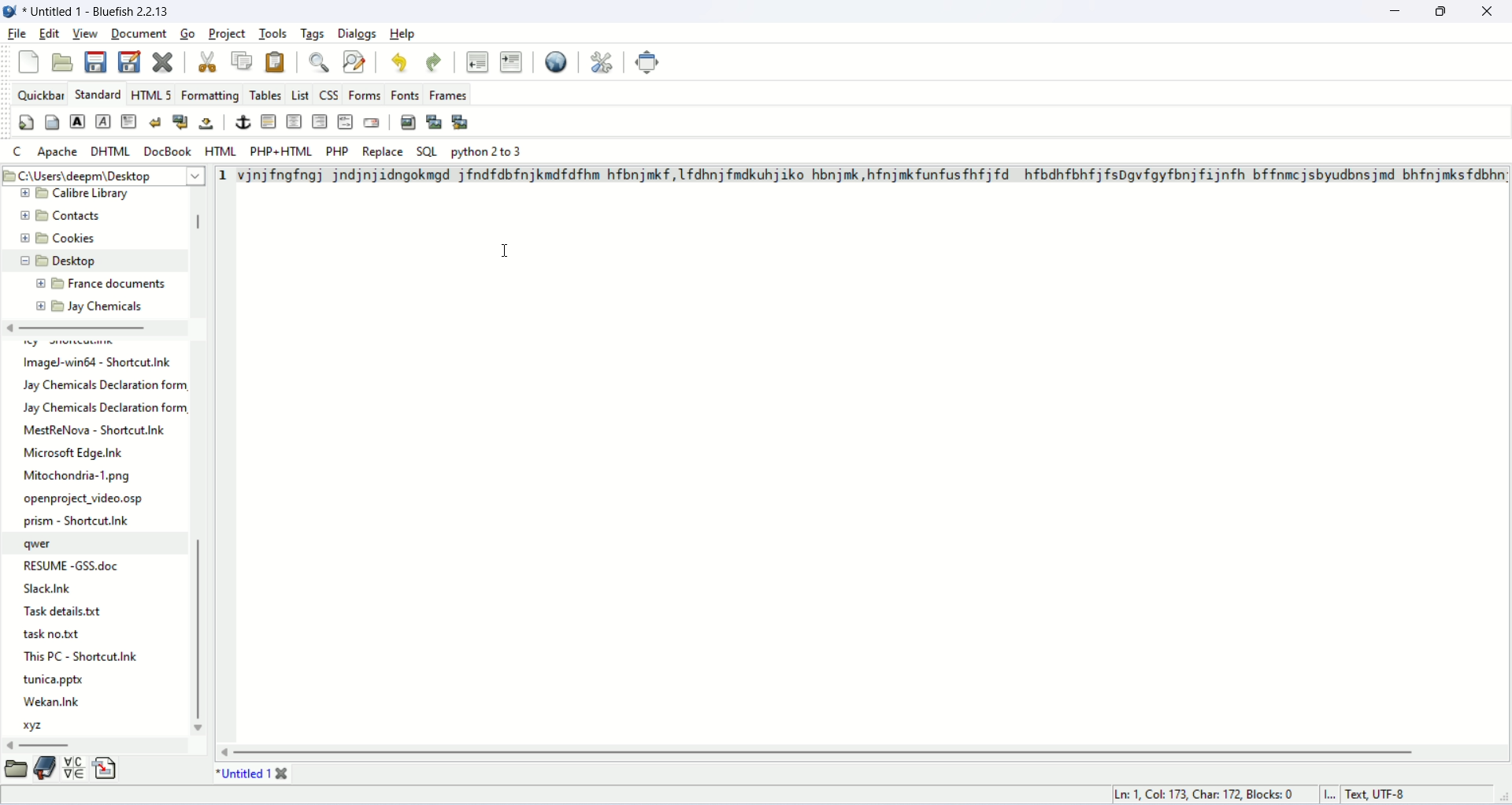  I want to click on anchor, so click(241, 121).